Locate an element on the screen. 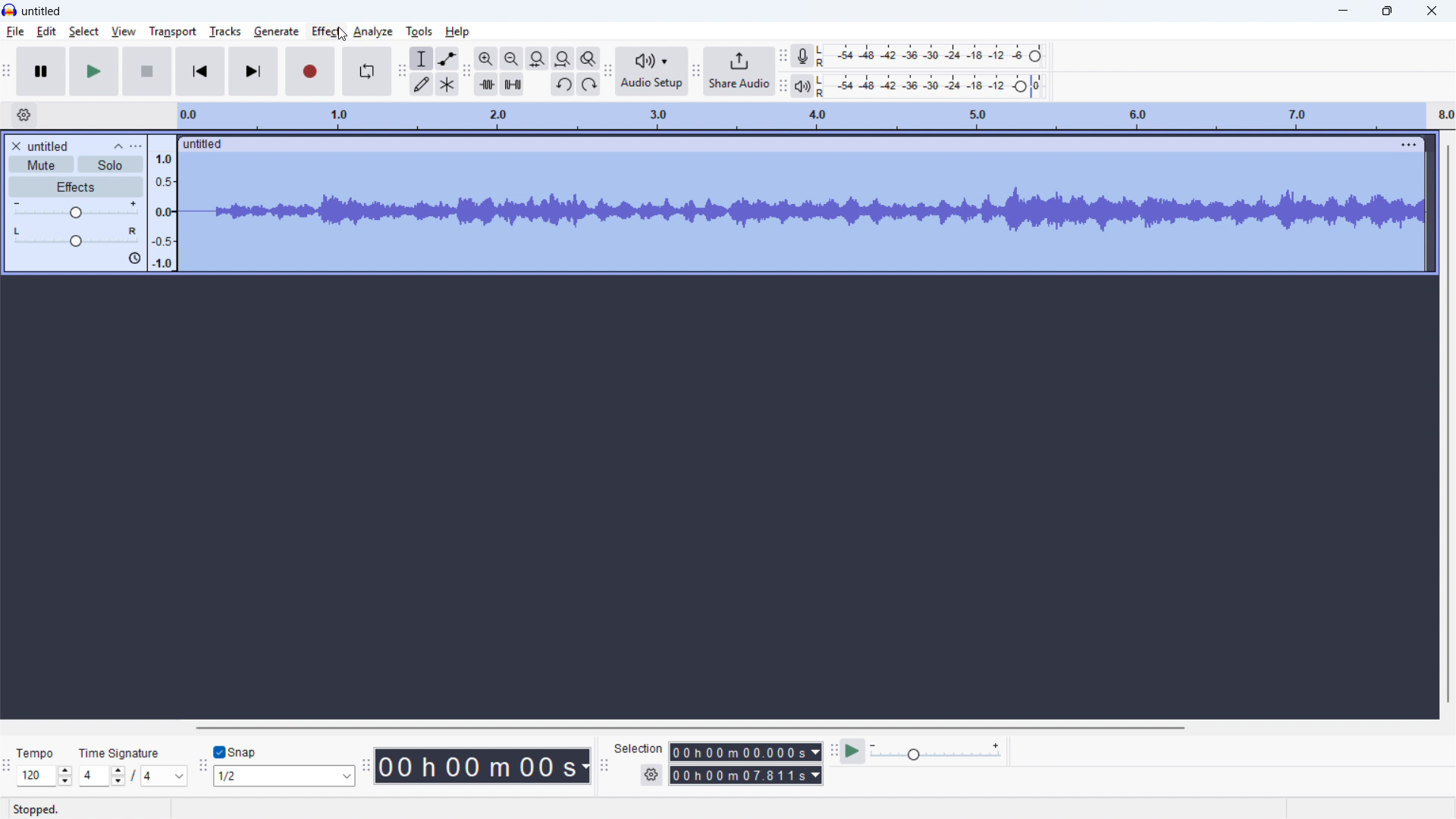 The image size is (1456, 819). Playback metre  is located at coordinates (802, 86).